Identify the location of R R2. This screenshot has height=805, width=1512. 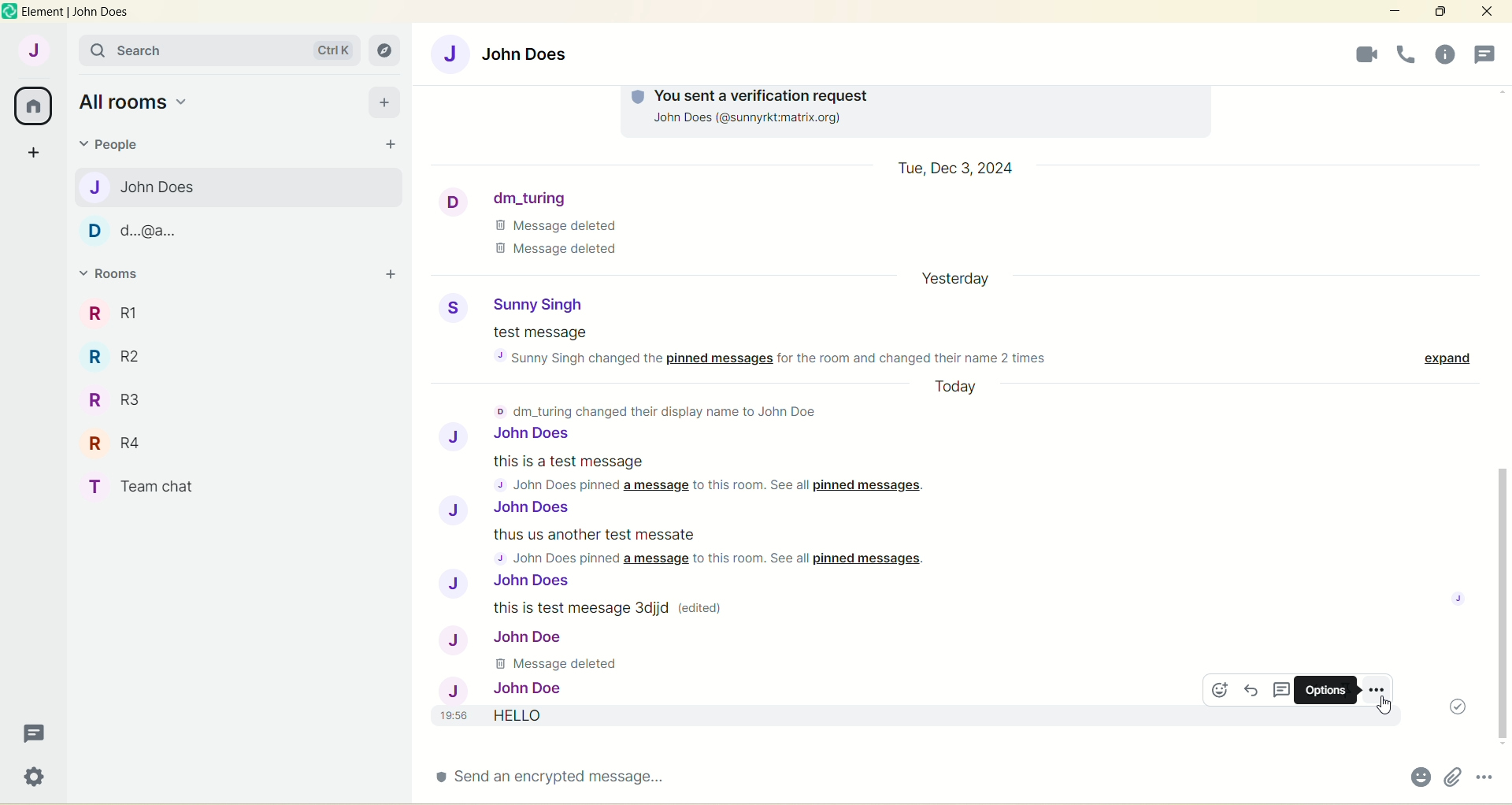
(124, 356).